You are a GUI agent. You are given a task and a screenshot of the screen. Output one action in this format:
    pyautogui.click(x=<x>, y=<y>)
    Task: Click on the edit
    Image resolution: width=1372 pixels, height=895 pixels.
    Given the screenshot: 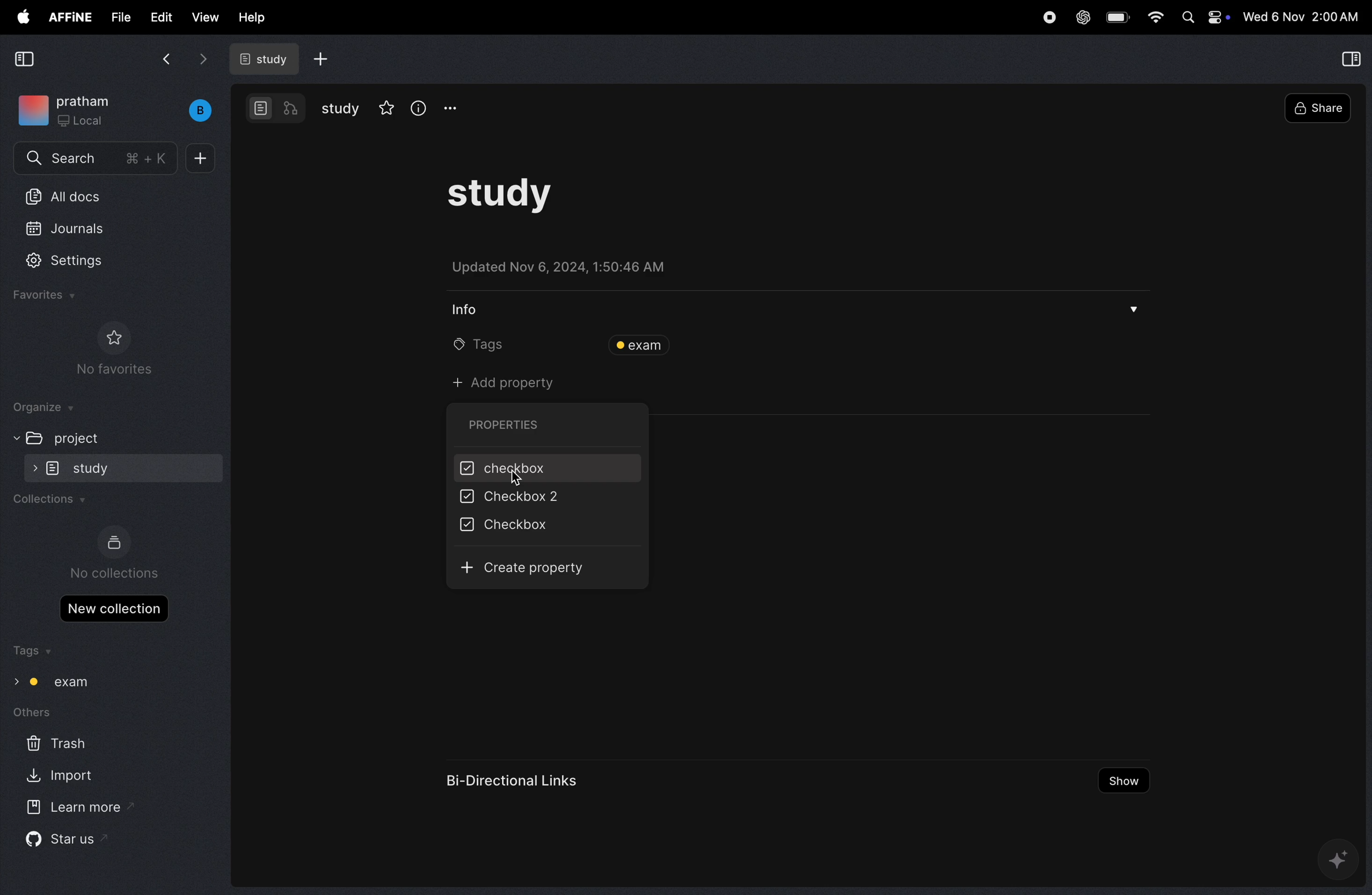 What is the action you would take?
    pyautogui.click(x=161, y=17)
    